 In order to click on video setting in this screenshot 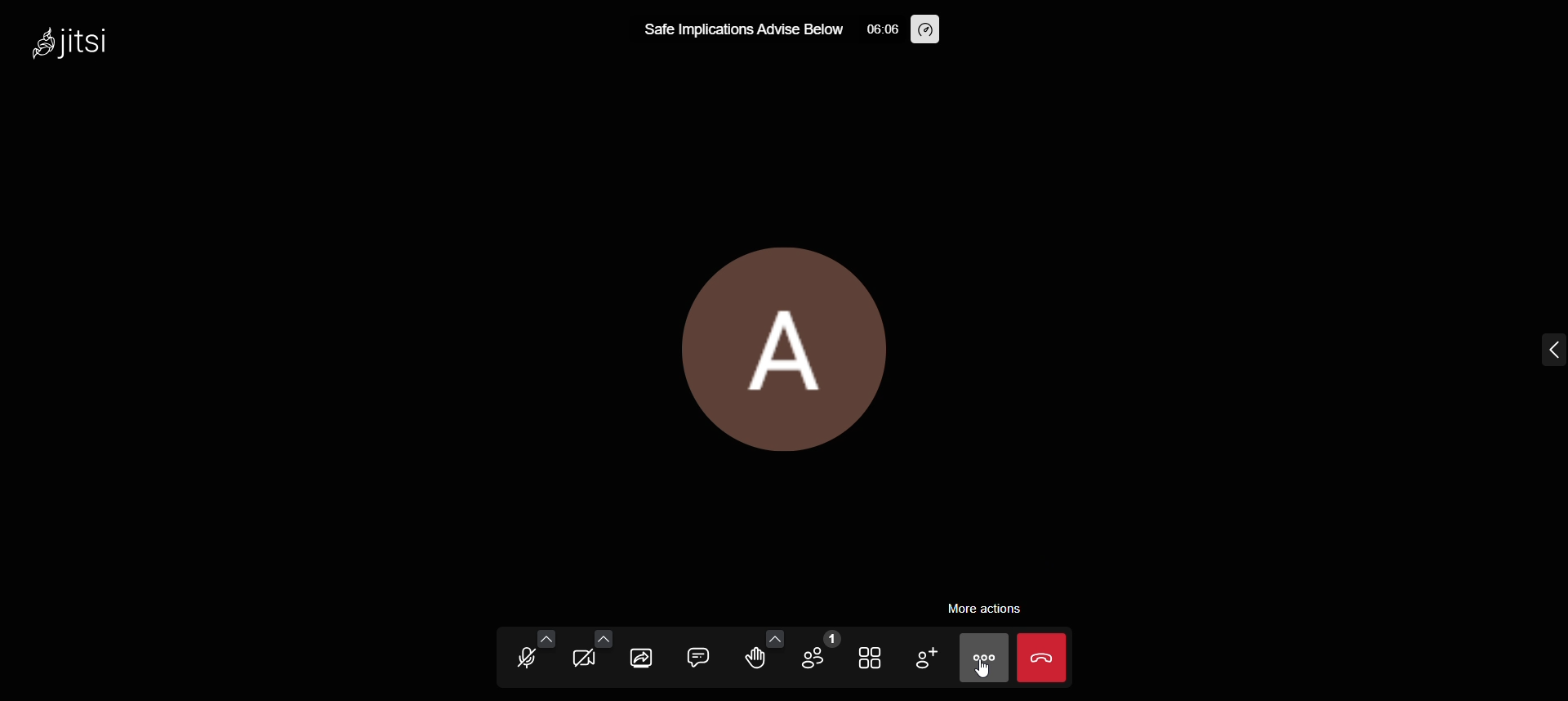, I will do `click(604, 638)`.